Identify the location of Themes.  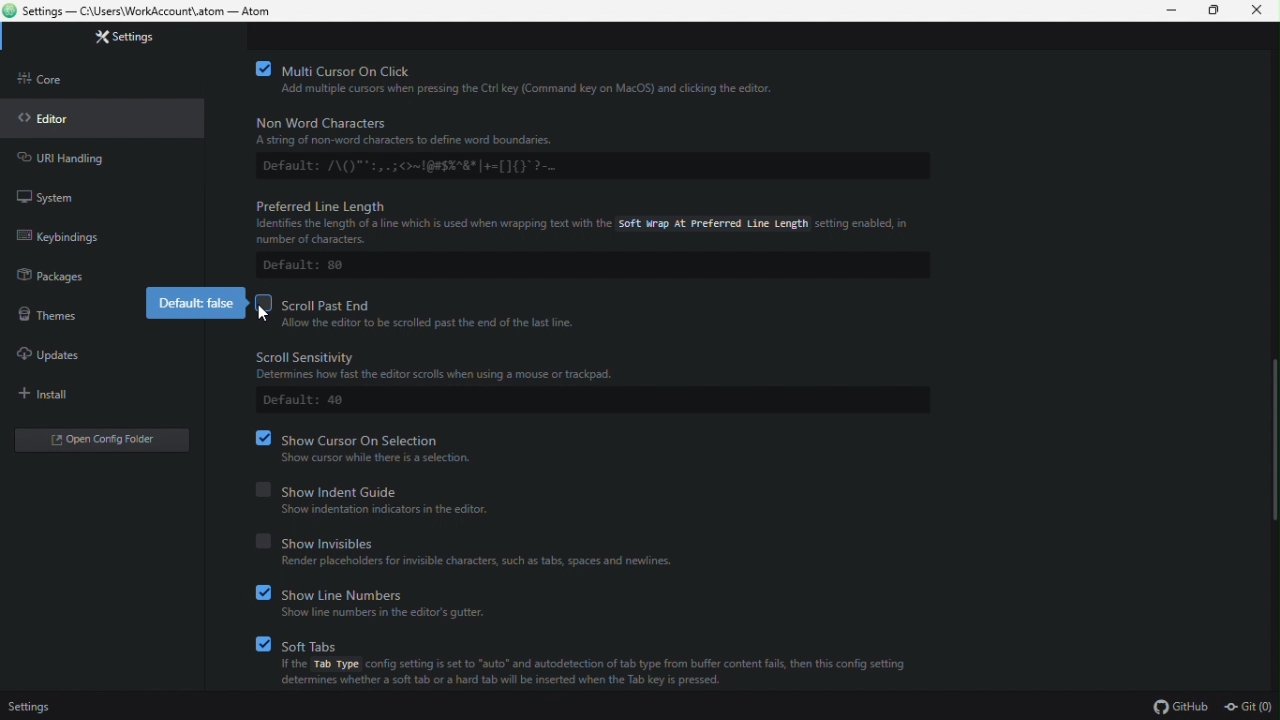
(55, 318).